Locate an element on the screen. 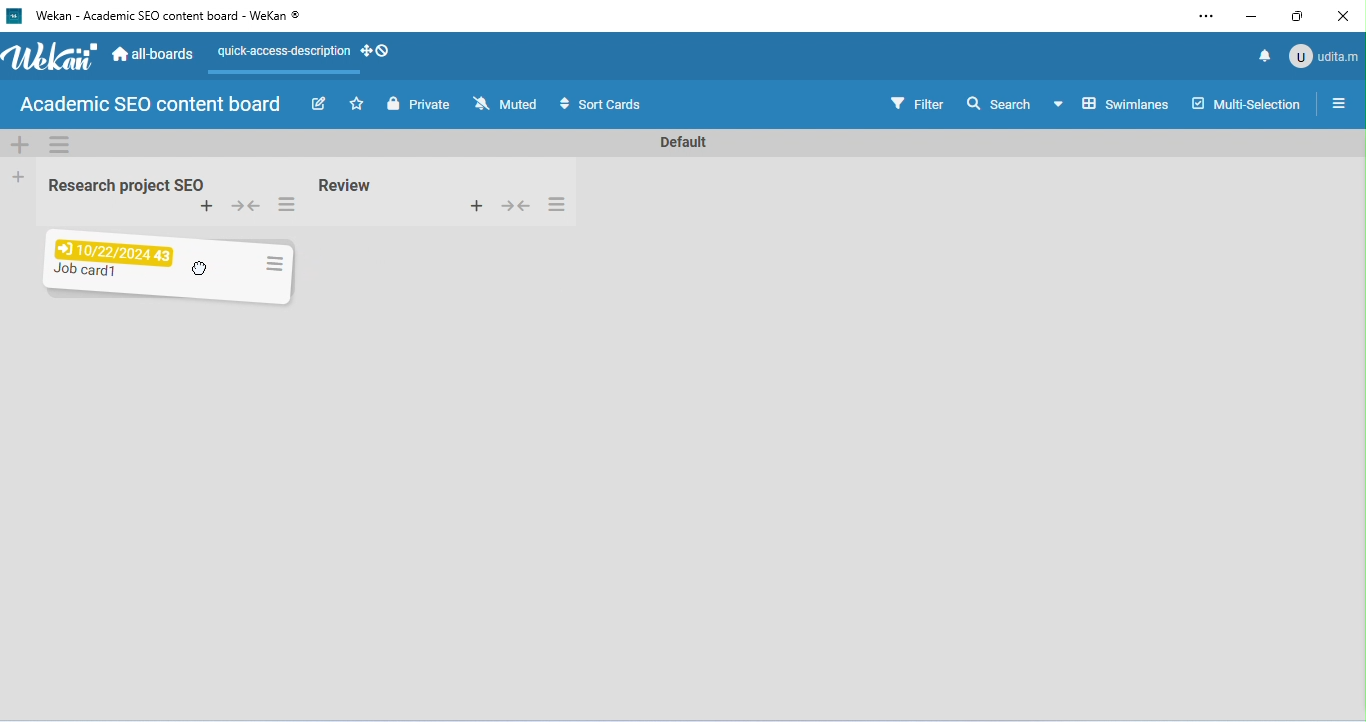 The height and width of the screenshot is (722, 1366). private is located at coordinates (418, 104).